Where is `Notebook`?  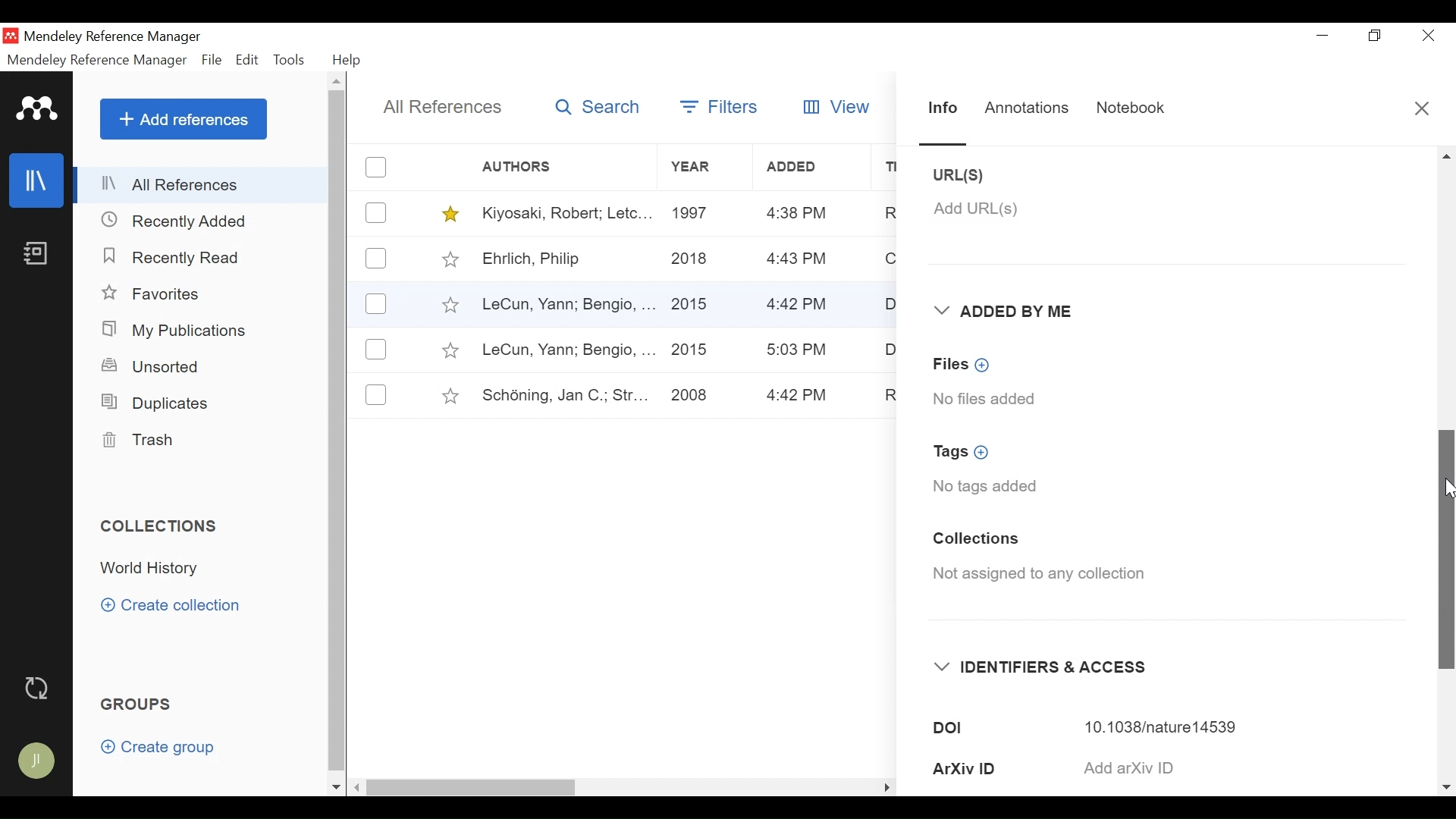 Notebook is located at coordinates (1125, 109).